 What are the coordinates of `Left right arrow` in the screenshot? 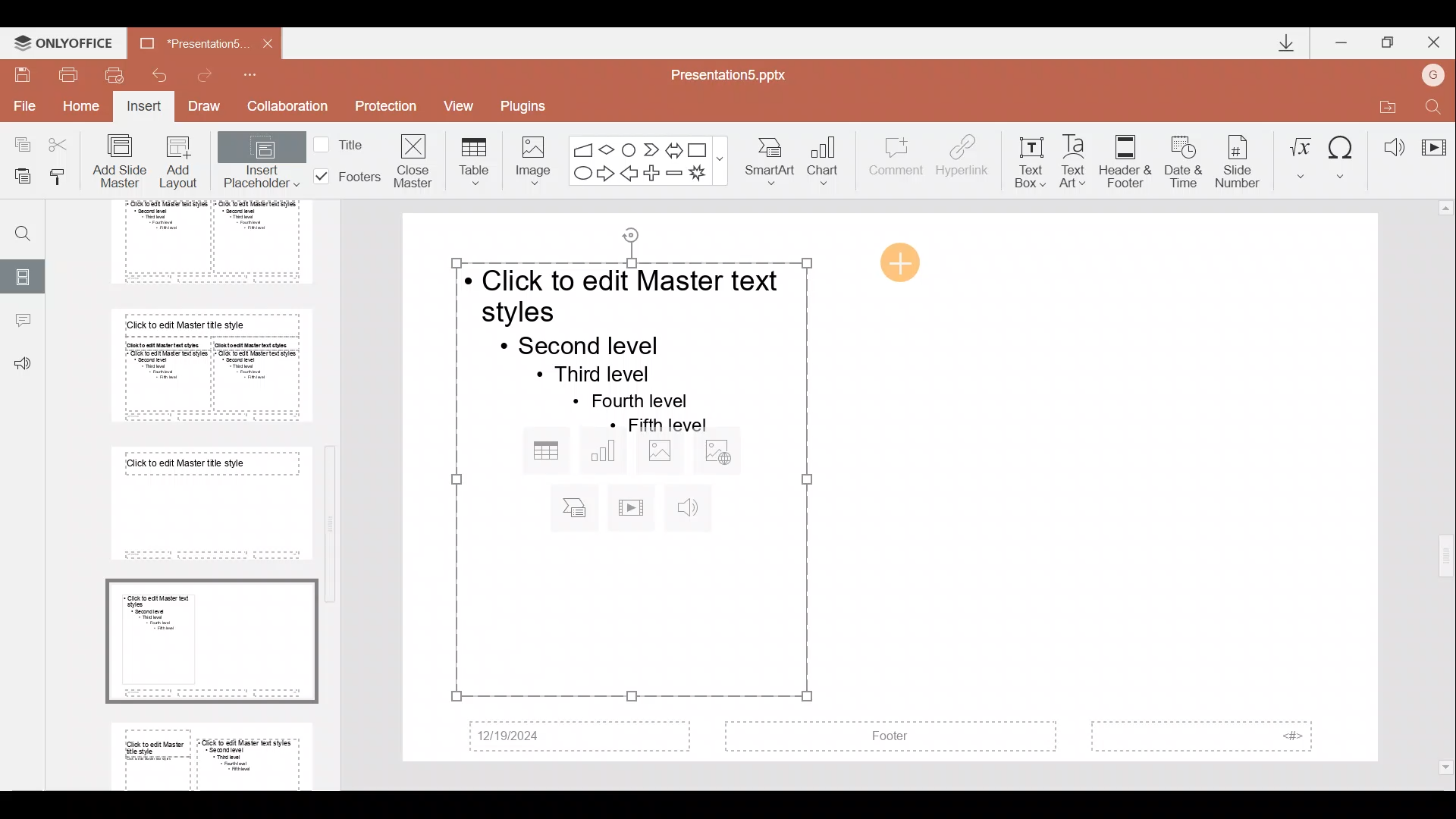 It's located at (673, 147).